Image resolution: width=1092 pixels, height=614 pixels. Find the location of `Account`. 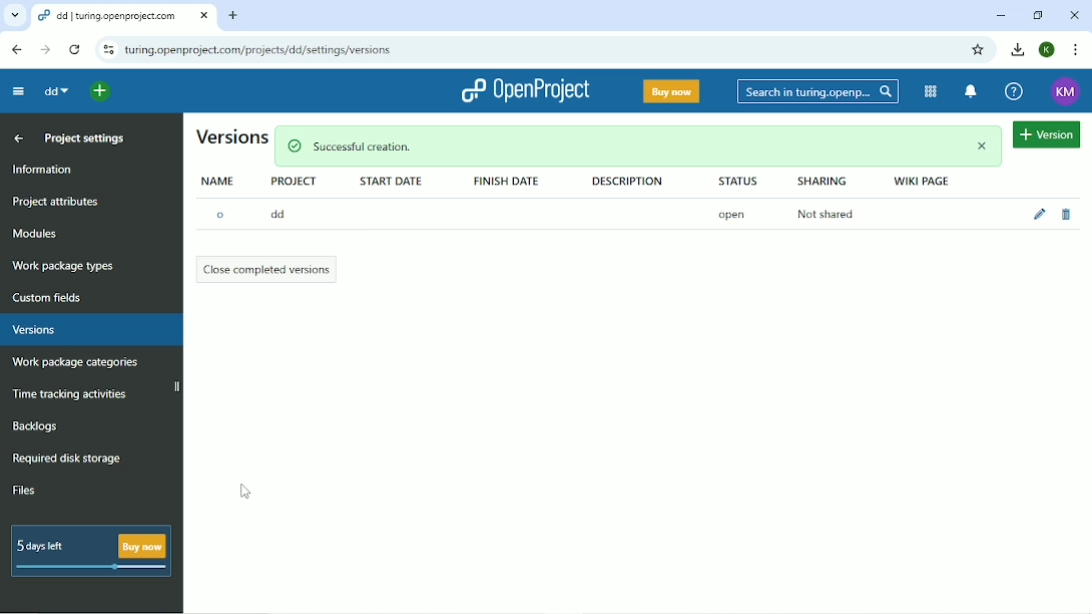

Account is located at coordinates (1048, 49).